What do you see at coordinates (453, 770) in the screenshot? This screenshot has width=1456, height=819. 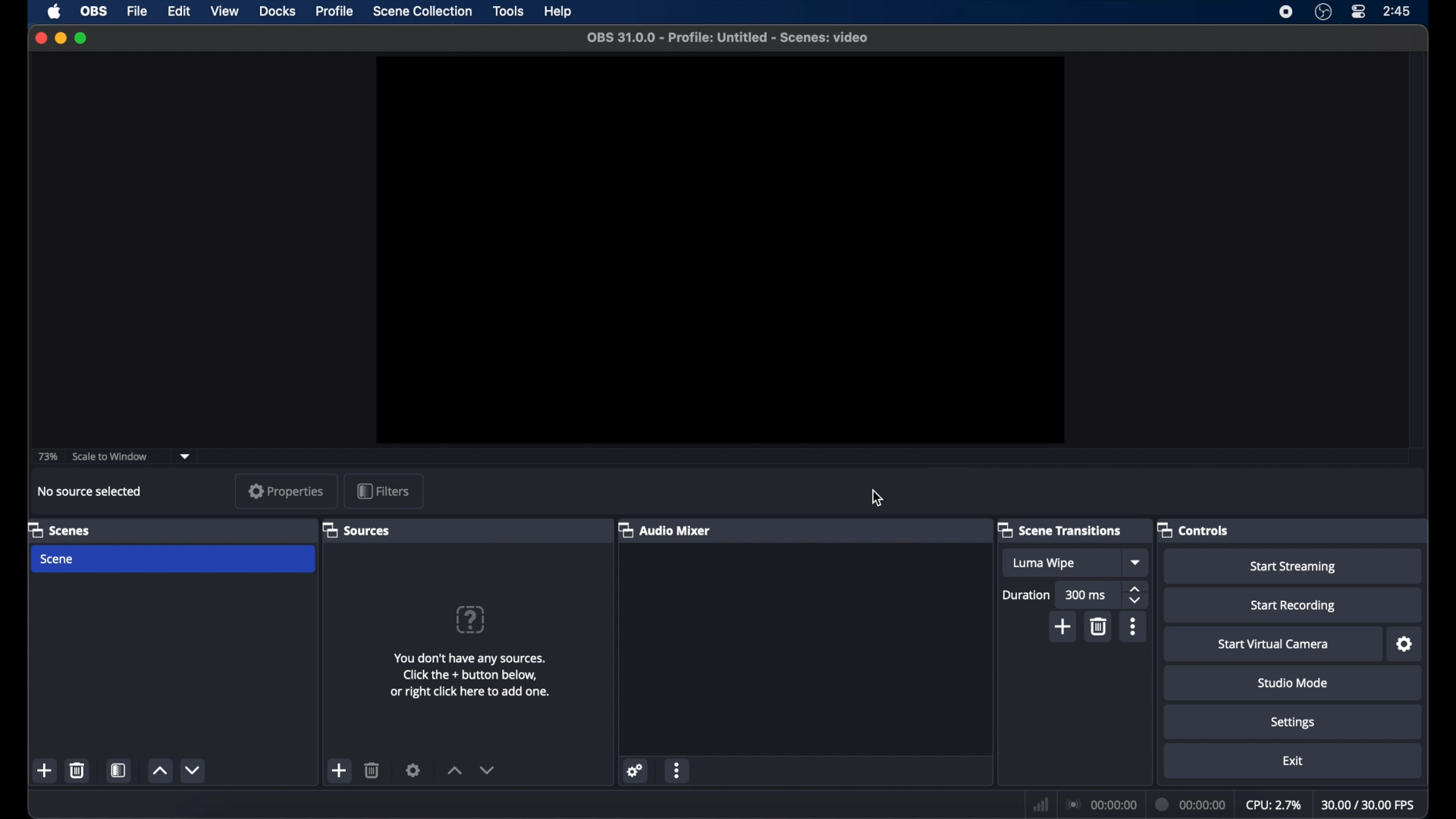 I see `increment` at bounding box center [453, 770].